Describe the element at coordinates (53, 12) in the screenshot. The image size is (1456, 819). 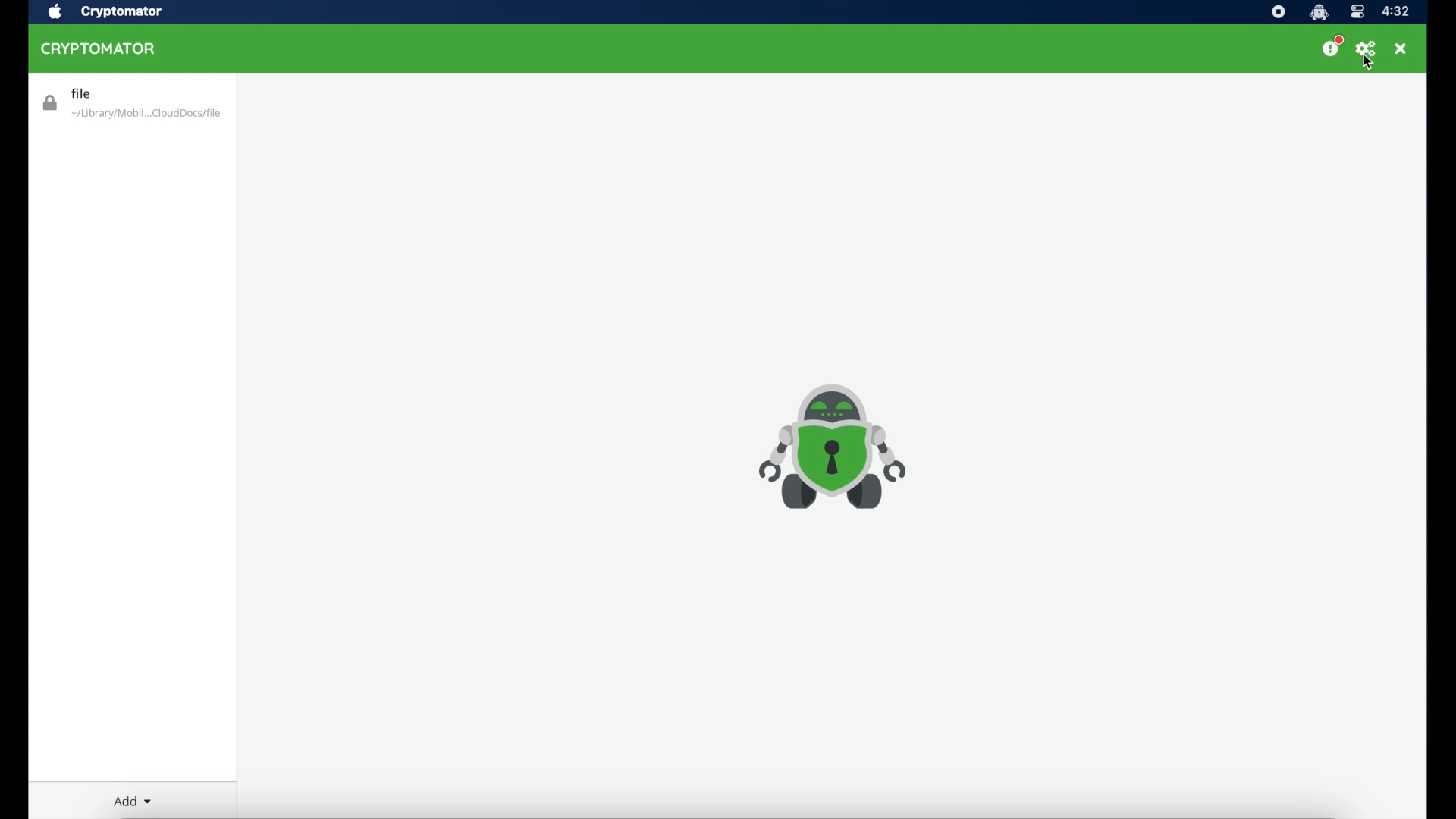
I see `apple icon` at that location.